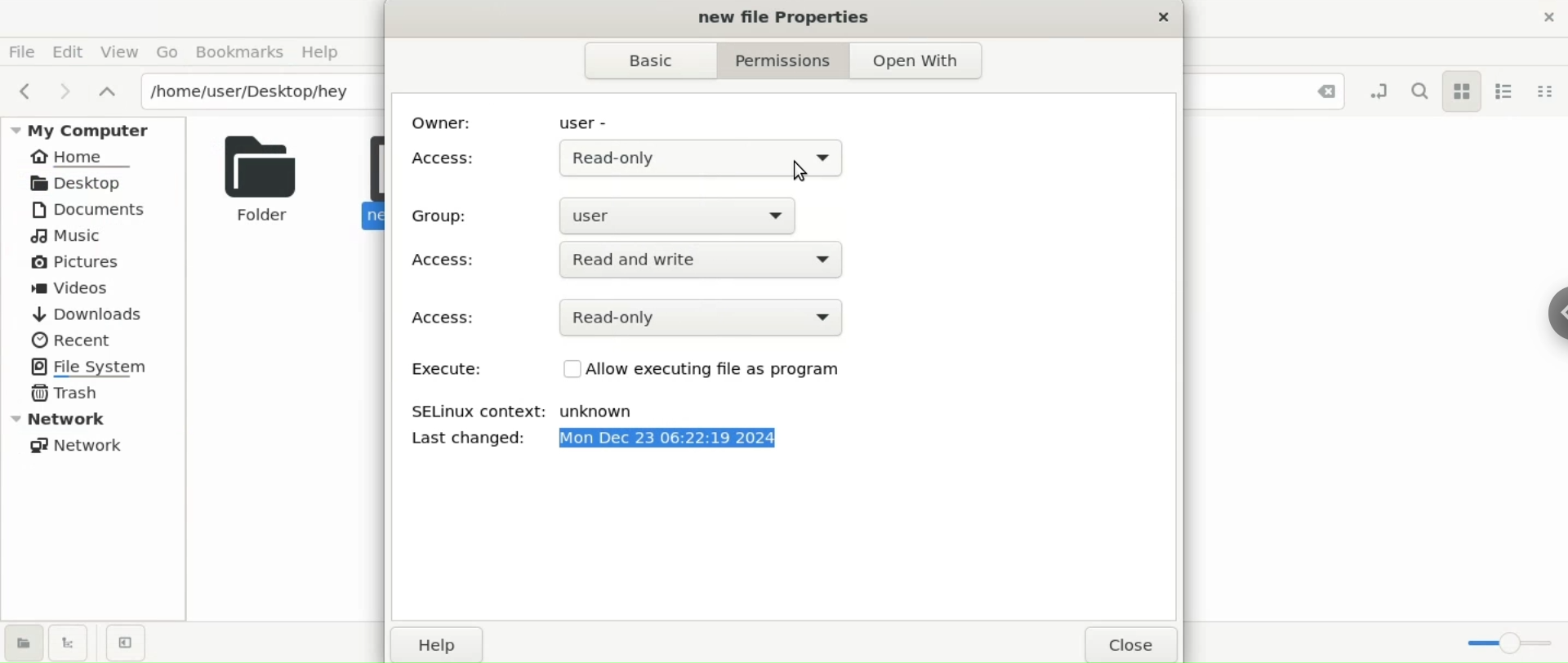 The image size is (1568, 663). Describe the element at coordinates (715, 315) in the screenshot. I see `Read-only` at that location.